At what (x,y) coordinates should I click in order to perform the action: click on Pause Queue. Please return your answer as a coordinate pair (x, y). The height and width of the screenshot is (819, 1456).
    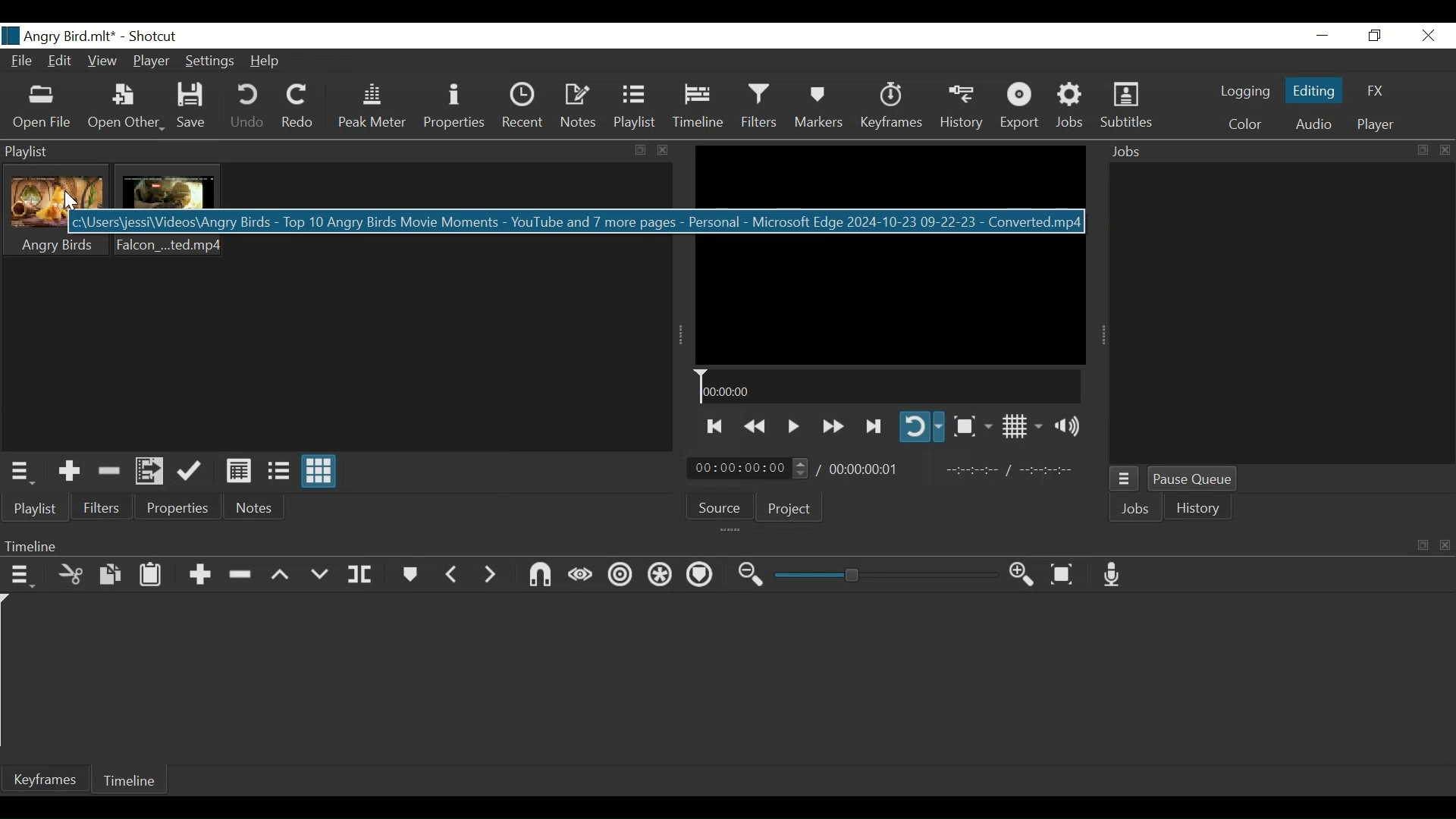
    Looking at the image, I should click on (1193, 479).